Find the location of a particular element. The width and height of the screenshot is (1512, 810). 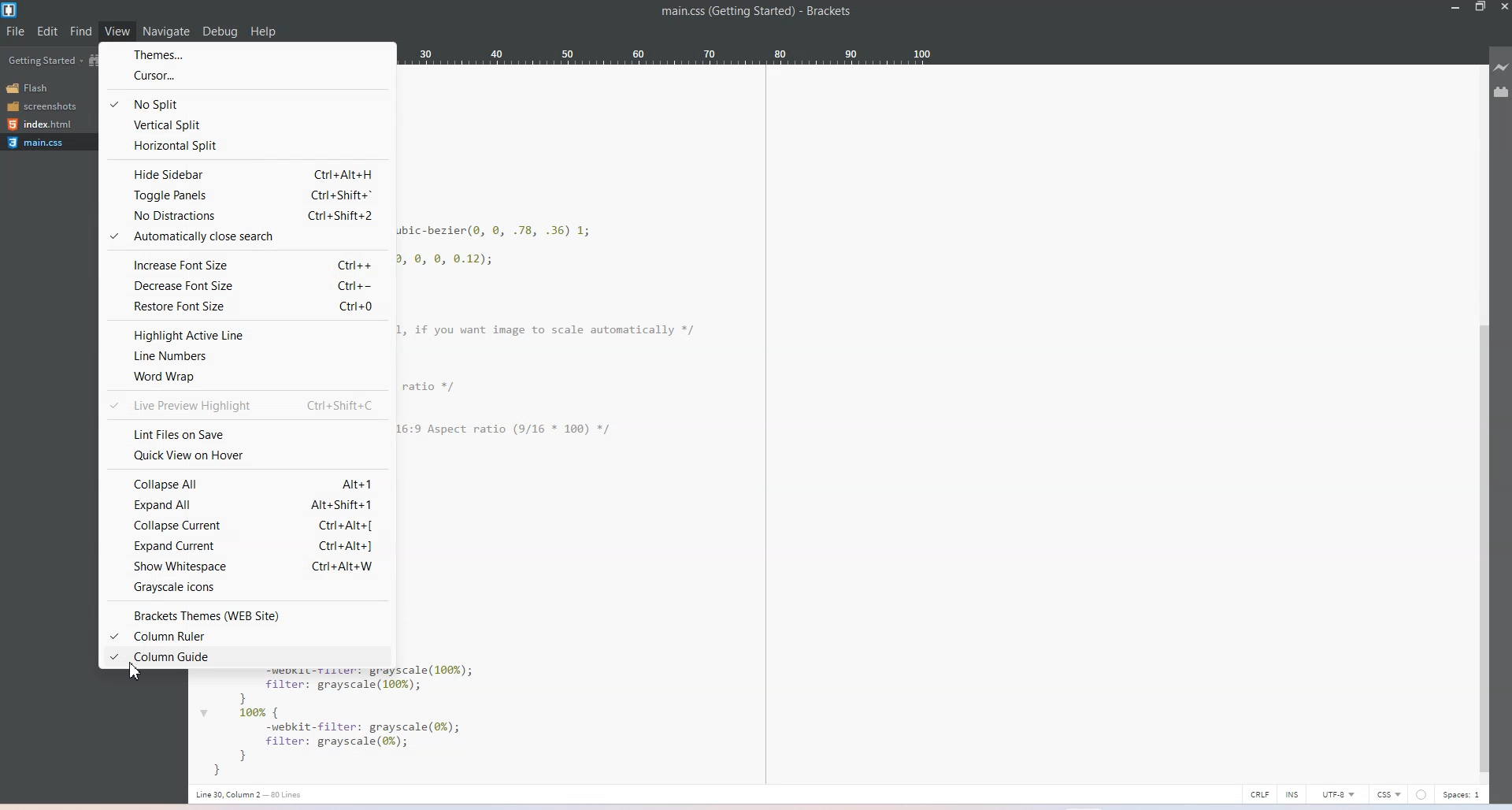

No split is located at coordinates (247, 103).